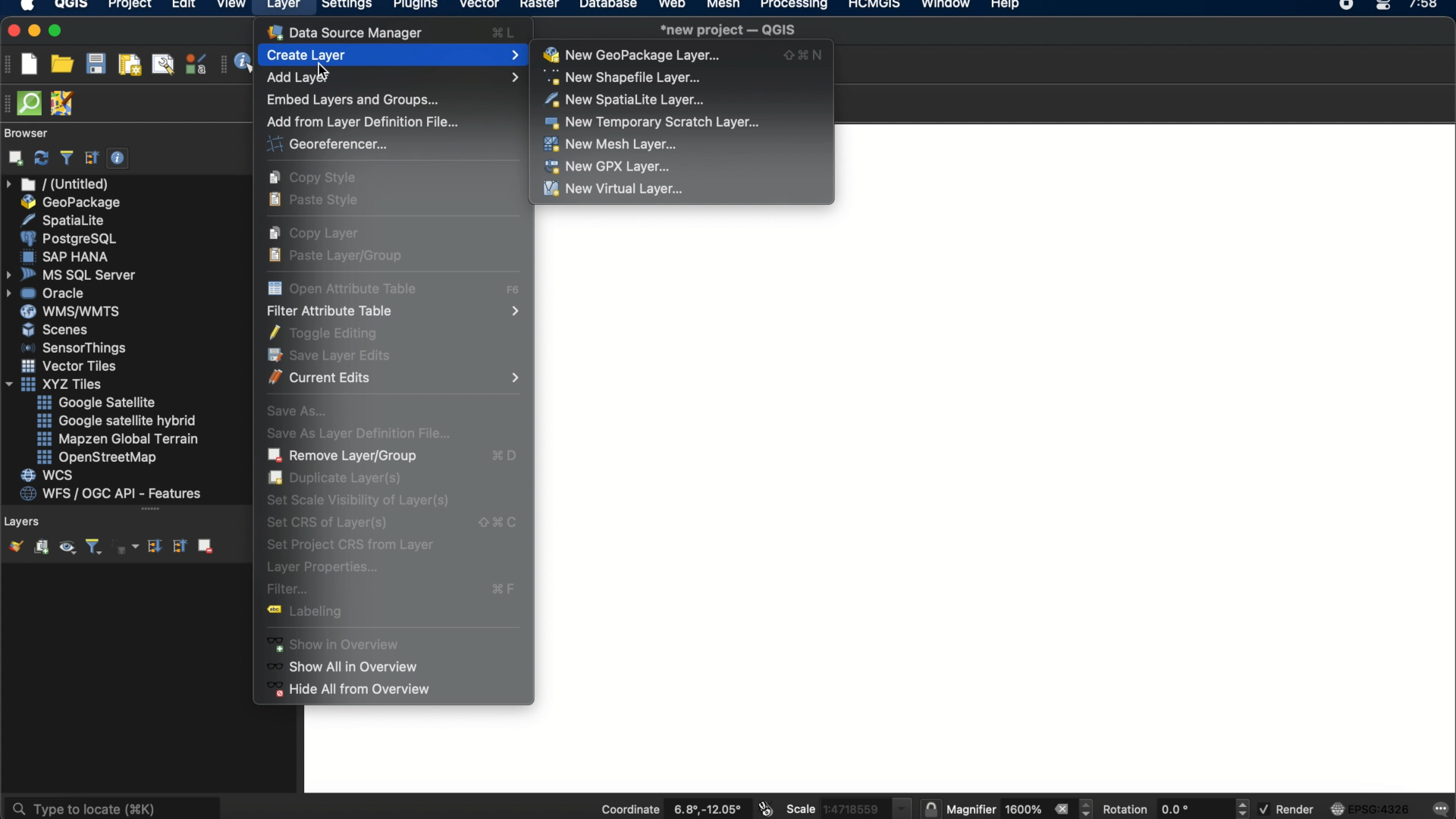  What do you see at coordinates (72, 6) in the screenshot?
I see `QGIS` at bounding box center [72, 6].